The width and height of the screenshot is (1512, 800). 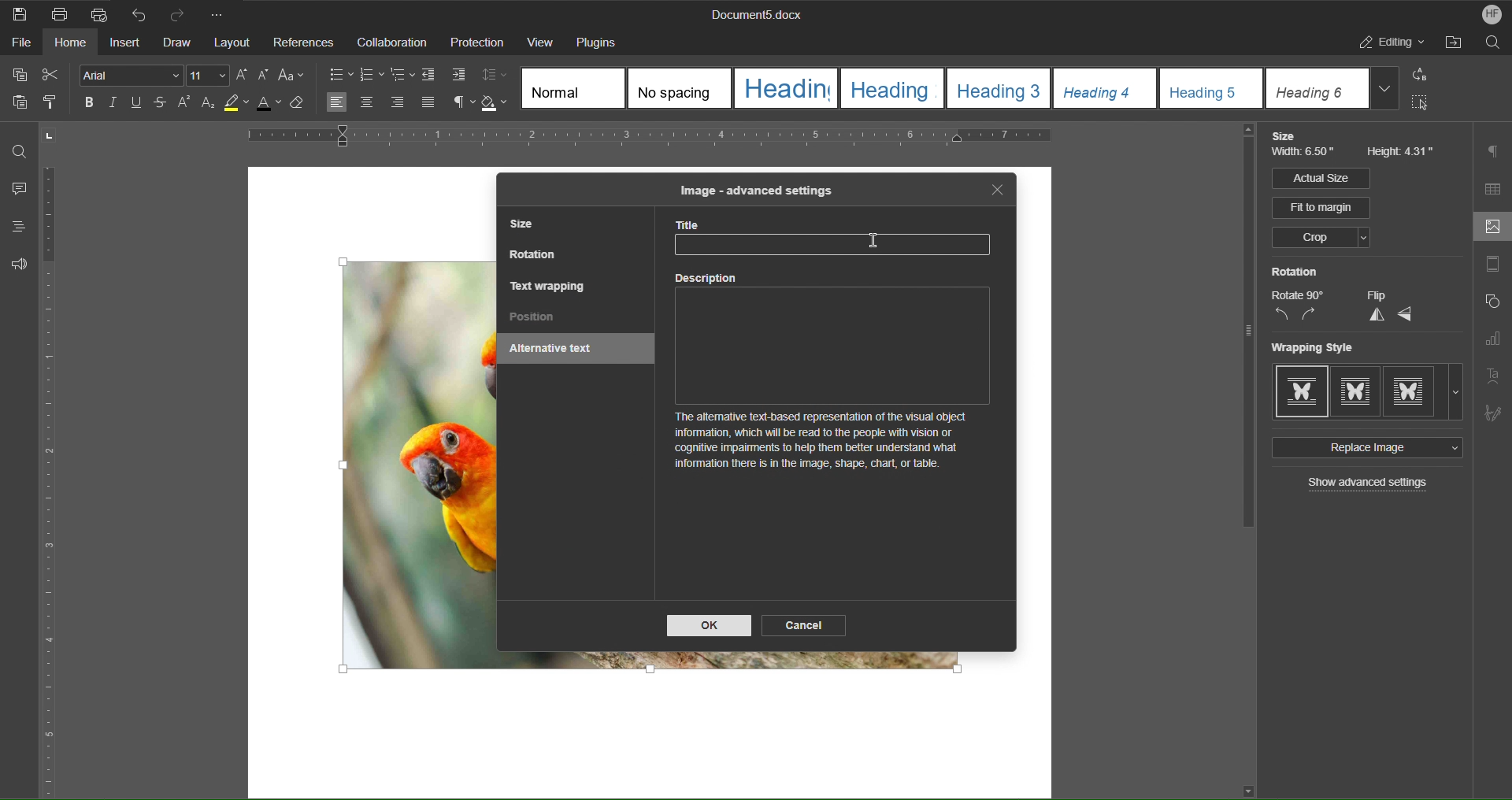 What do you see at coordinates (1320, 239) in the screenshot?
I see `Crop` at bounding box center [1320, 239].